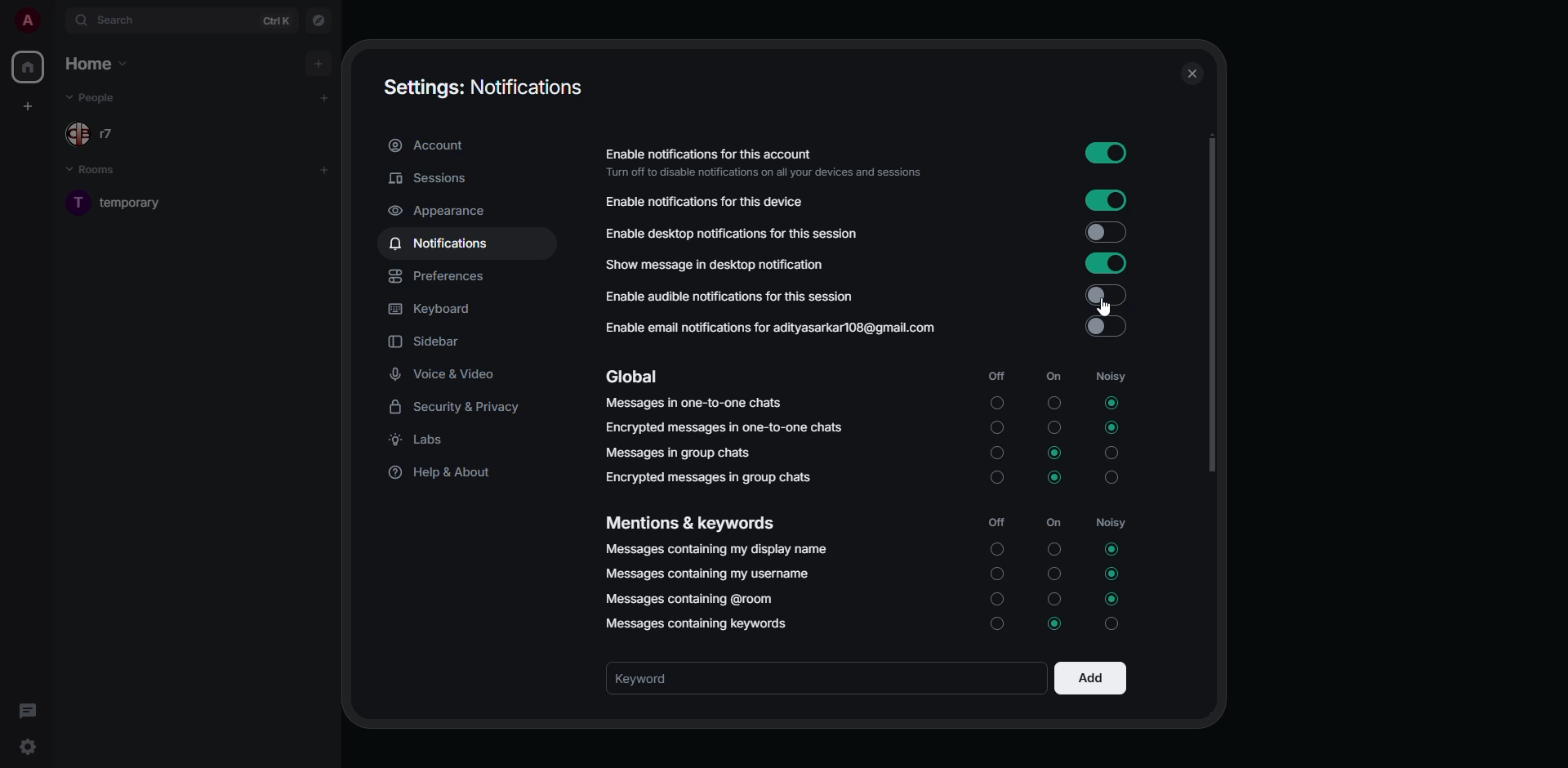 The width and height of the screenshot is (1568, 768). I want to click on Off Unselected, so click(996, 574).